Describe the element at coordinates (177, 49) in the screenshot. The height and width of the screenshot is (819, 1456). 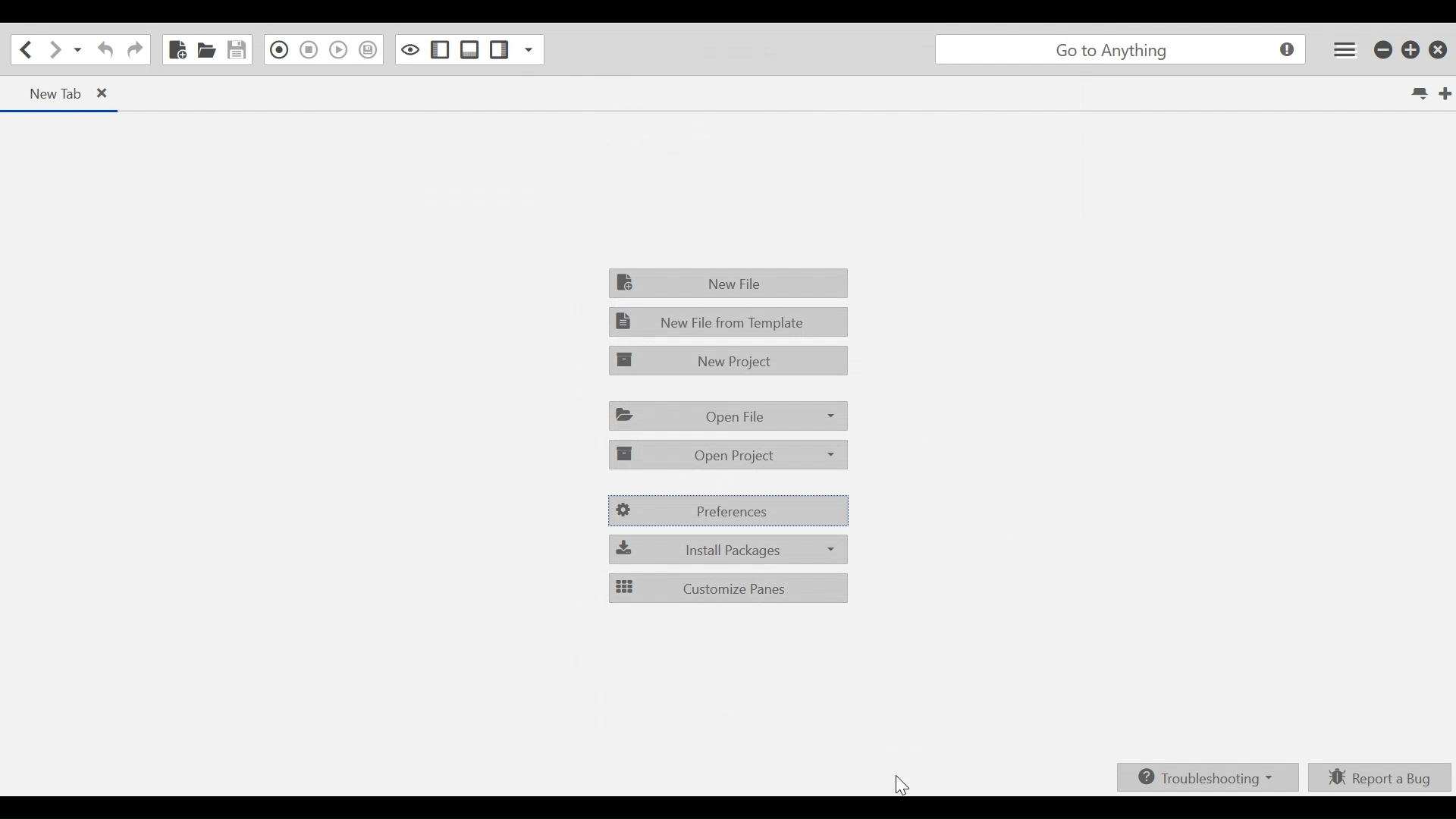
I see `New File` at that location.